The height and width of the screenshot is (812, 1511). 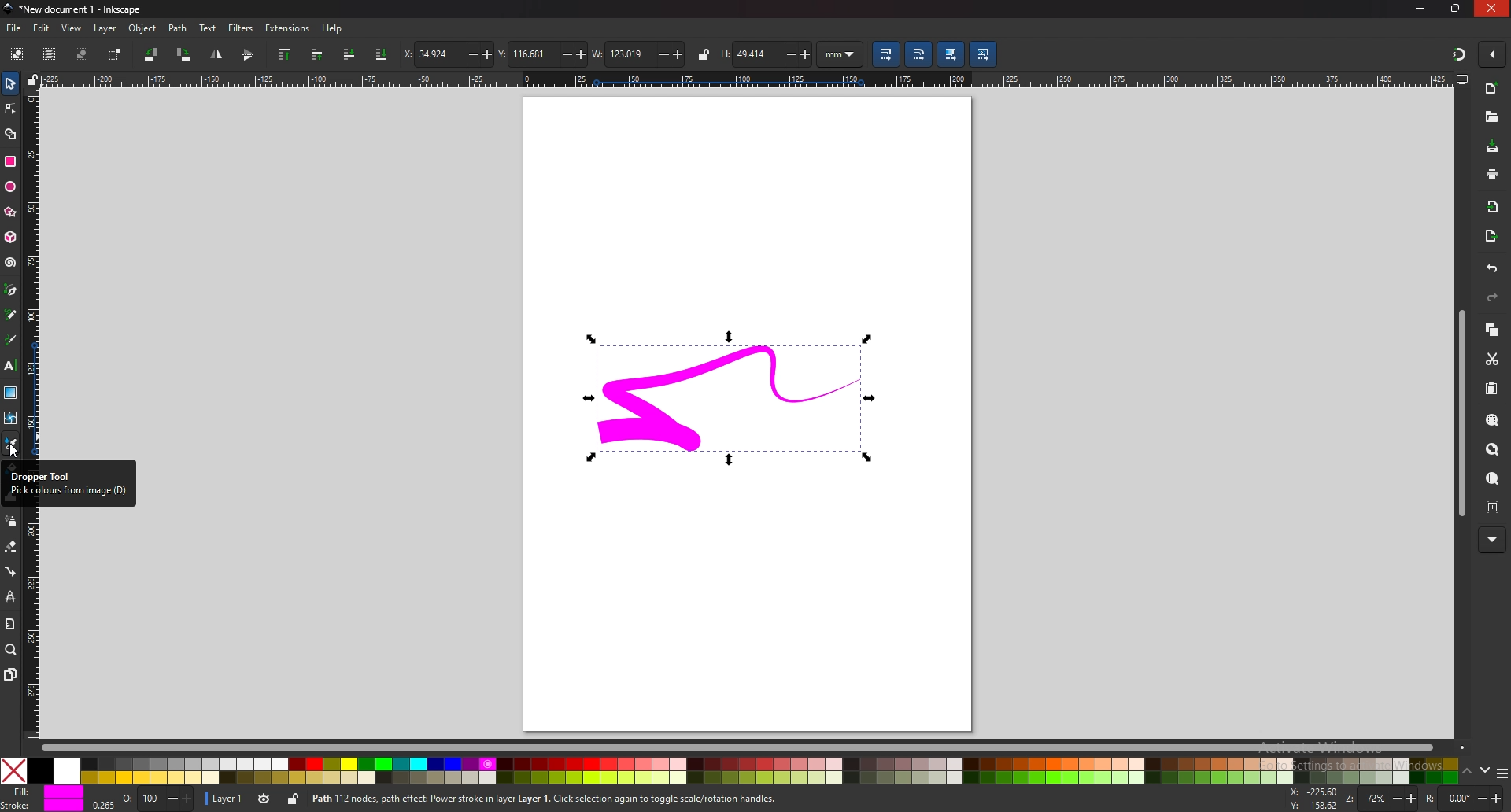 I want to click on raise to top, so click(x=286, y=54).